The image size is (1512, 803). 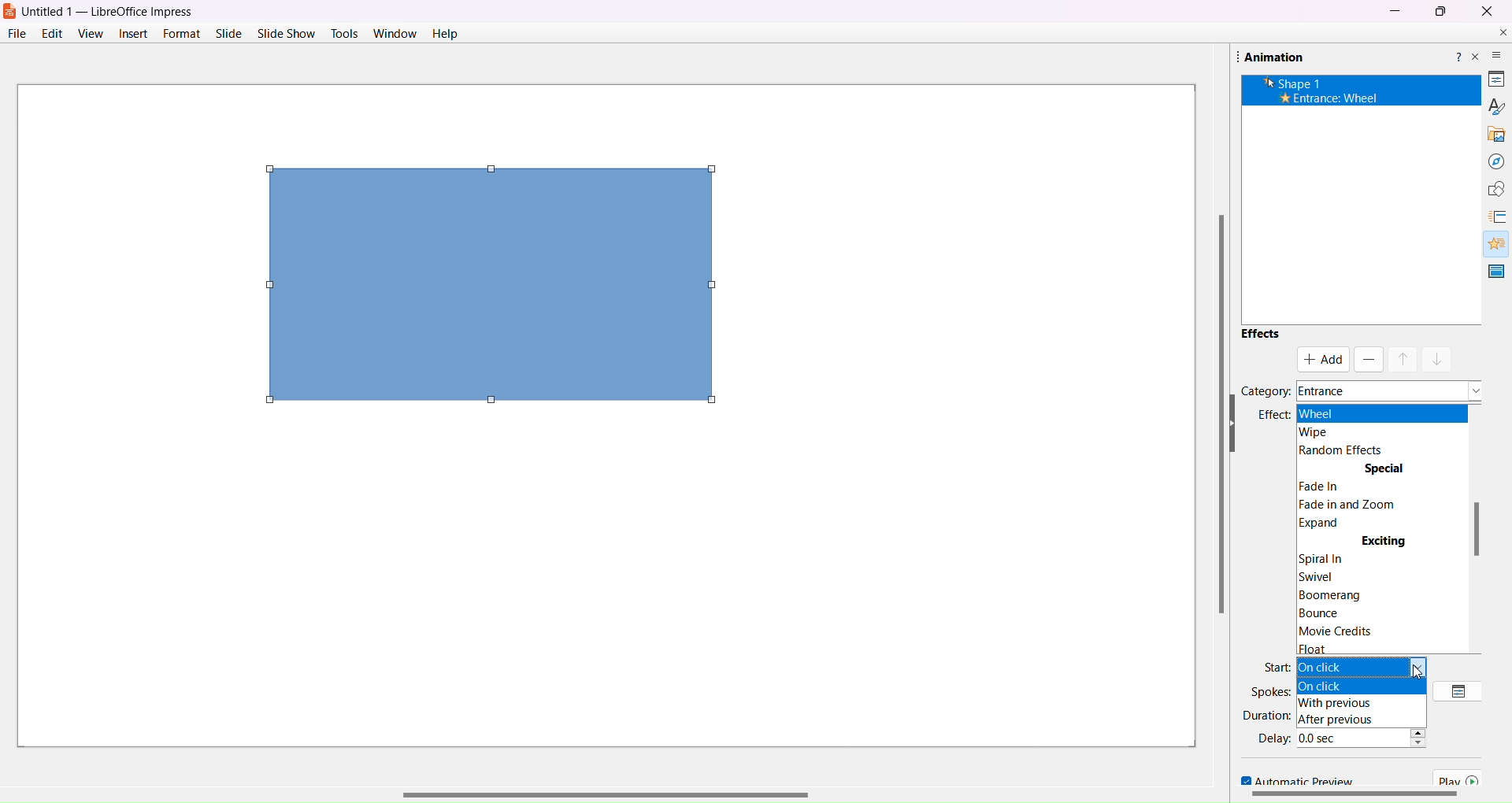 I want to click on File, so click(x=16, y=33).